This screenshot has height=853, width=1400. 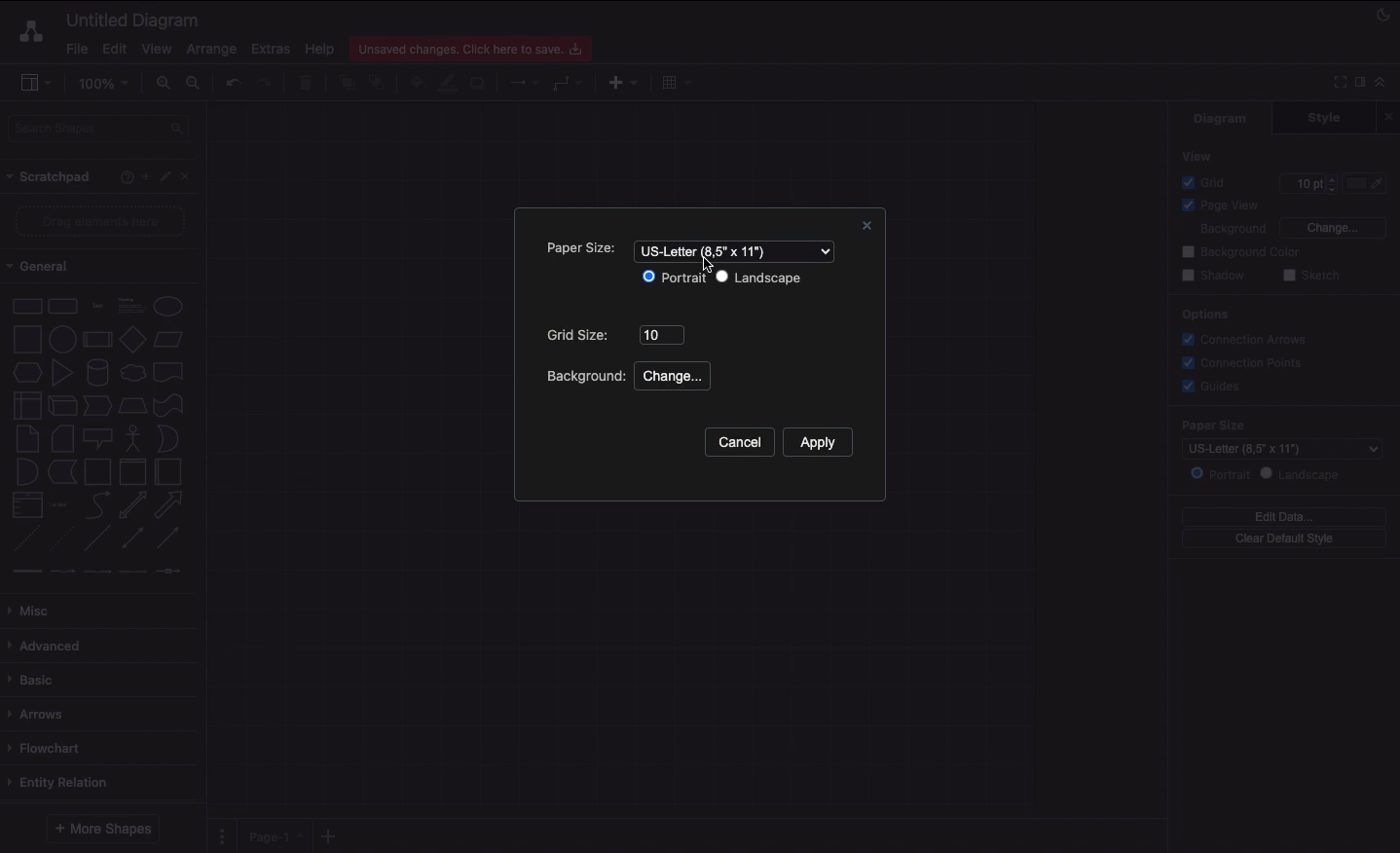 I want to click on Directional connector, so click(x=171, y=538).